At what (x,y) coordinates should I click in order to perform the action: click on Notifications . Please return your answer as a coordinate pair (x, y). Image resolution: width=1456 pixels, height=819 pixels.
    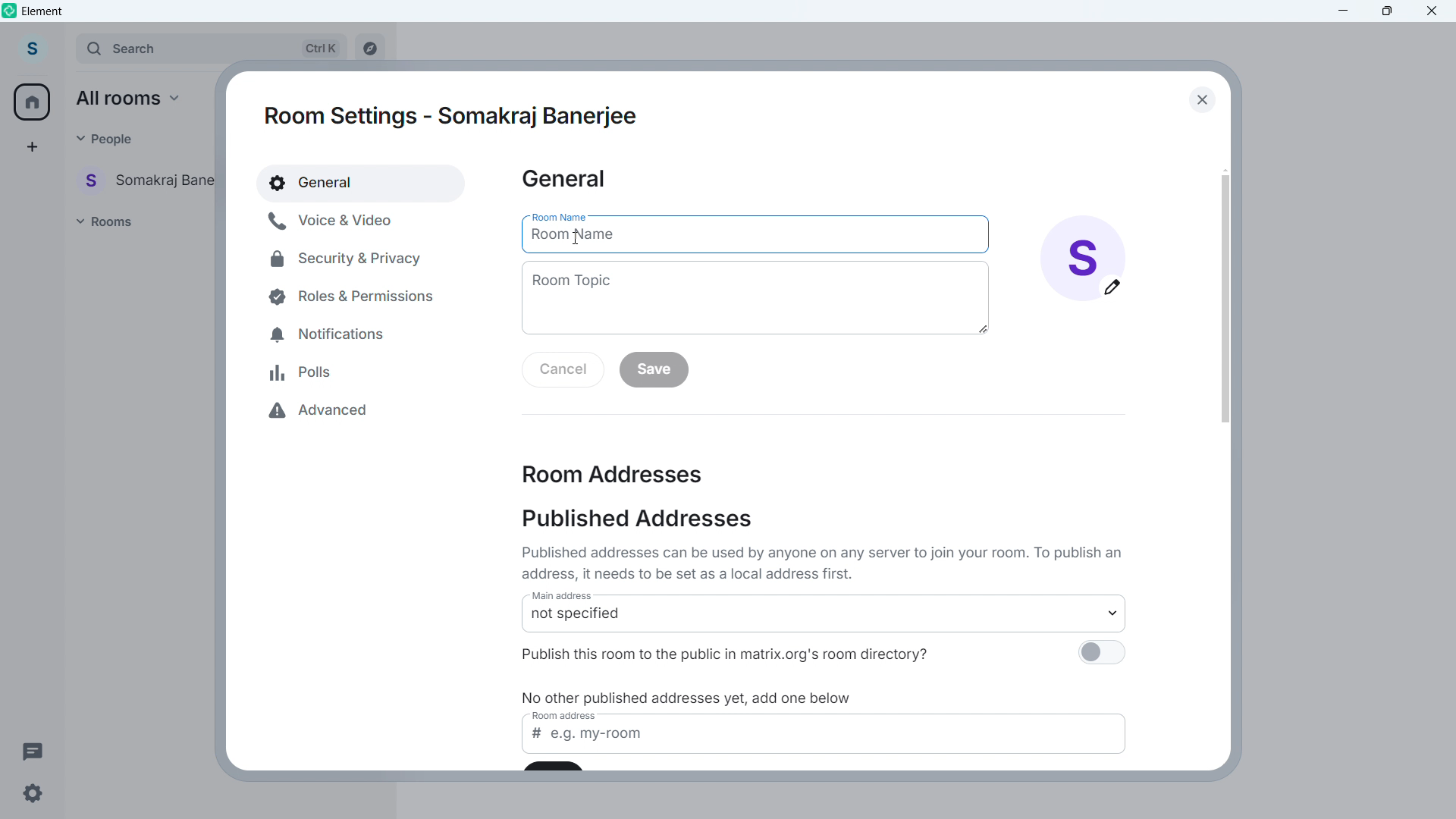
    Looking at the image, I should click on (334, 331).